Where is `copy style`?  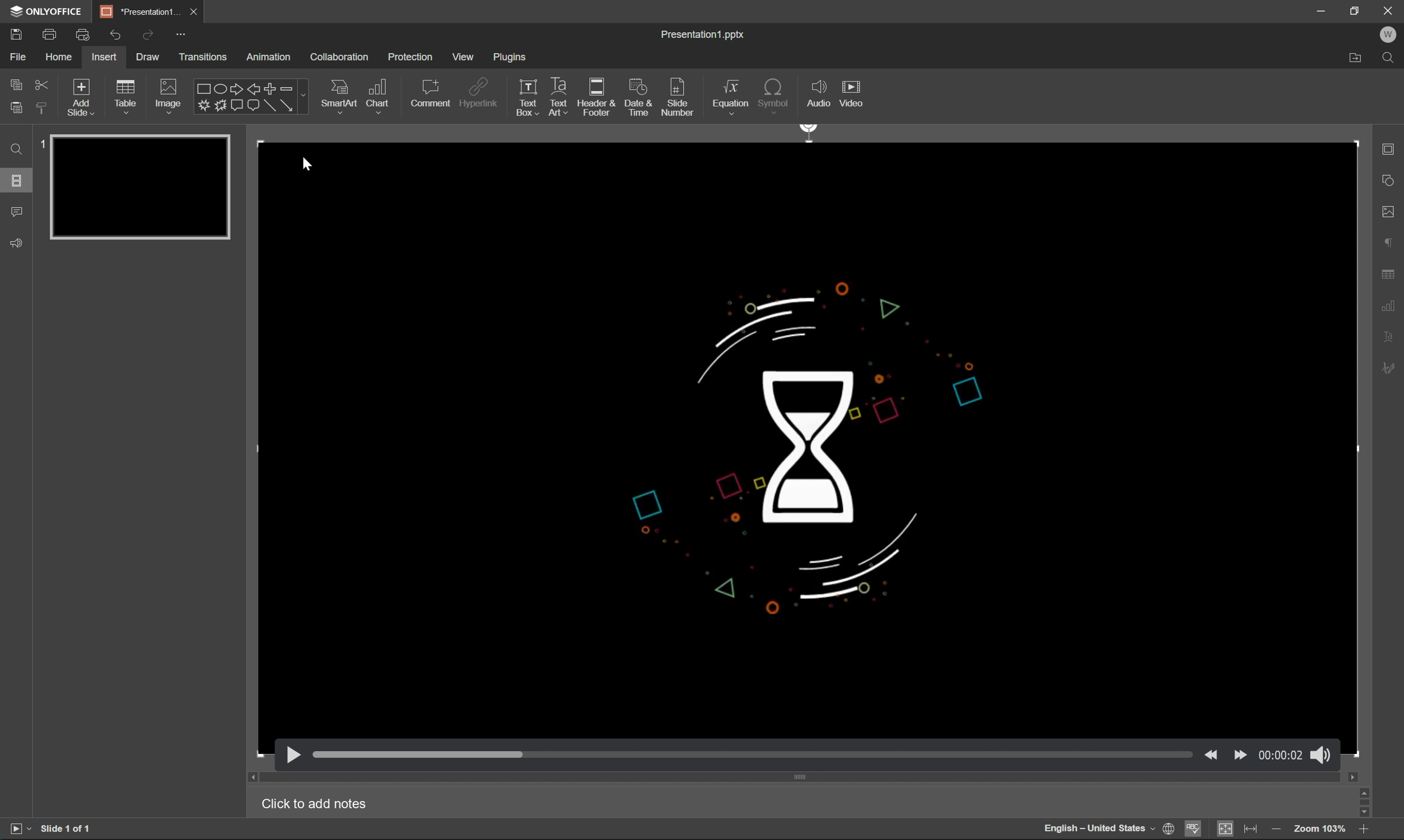 copy style is located at coordinates (40, 108).